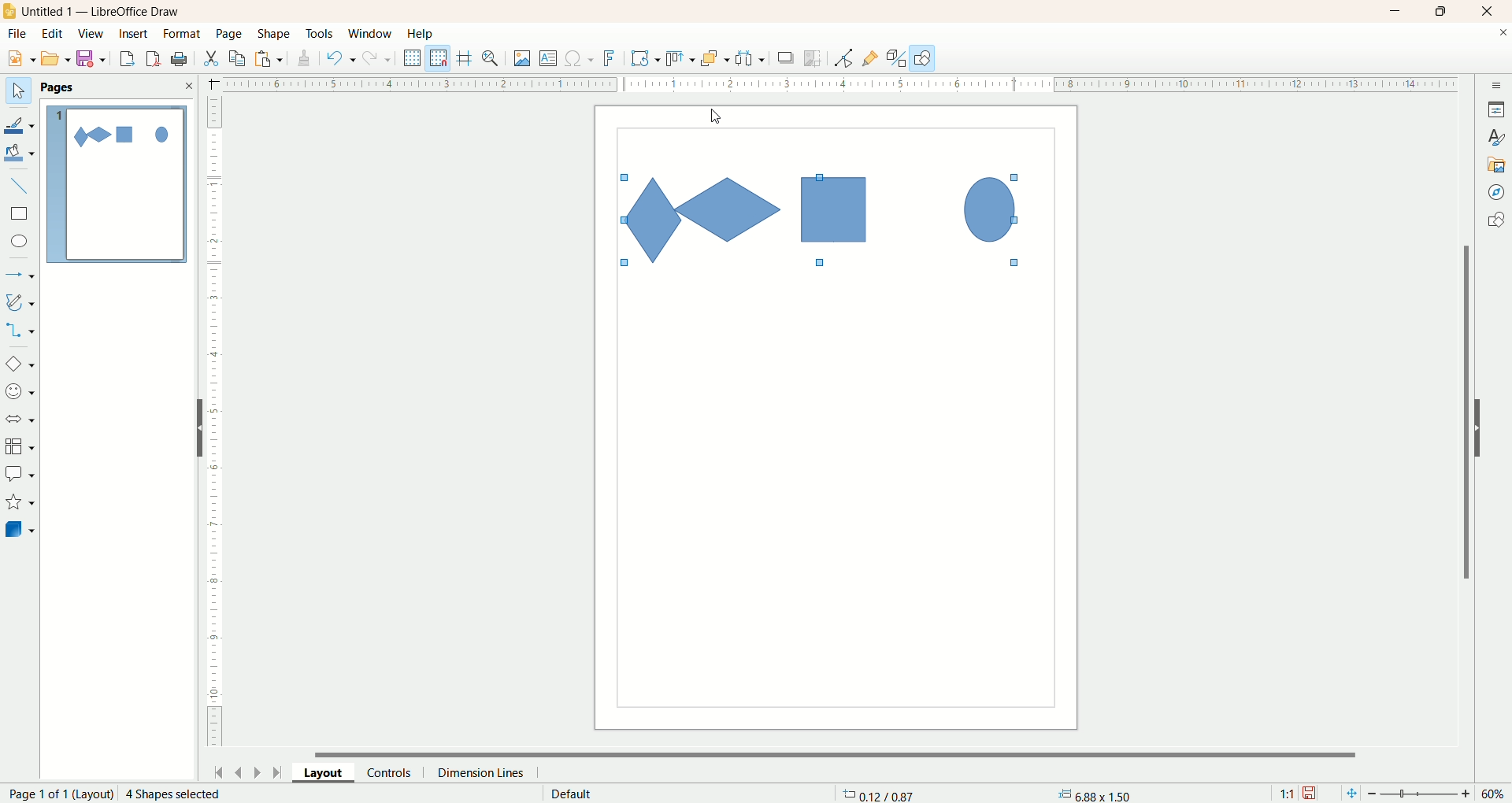 This screenshot has width=1512, height=803. I want to click on print, so click(155, 58).